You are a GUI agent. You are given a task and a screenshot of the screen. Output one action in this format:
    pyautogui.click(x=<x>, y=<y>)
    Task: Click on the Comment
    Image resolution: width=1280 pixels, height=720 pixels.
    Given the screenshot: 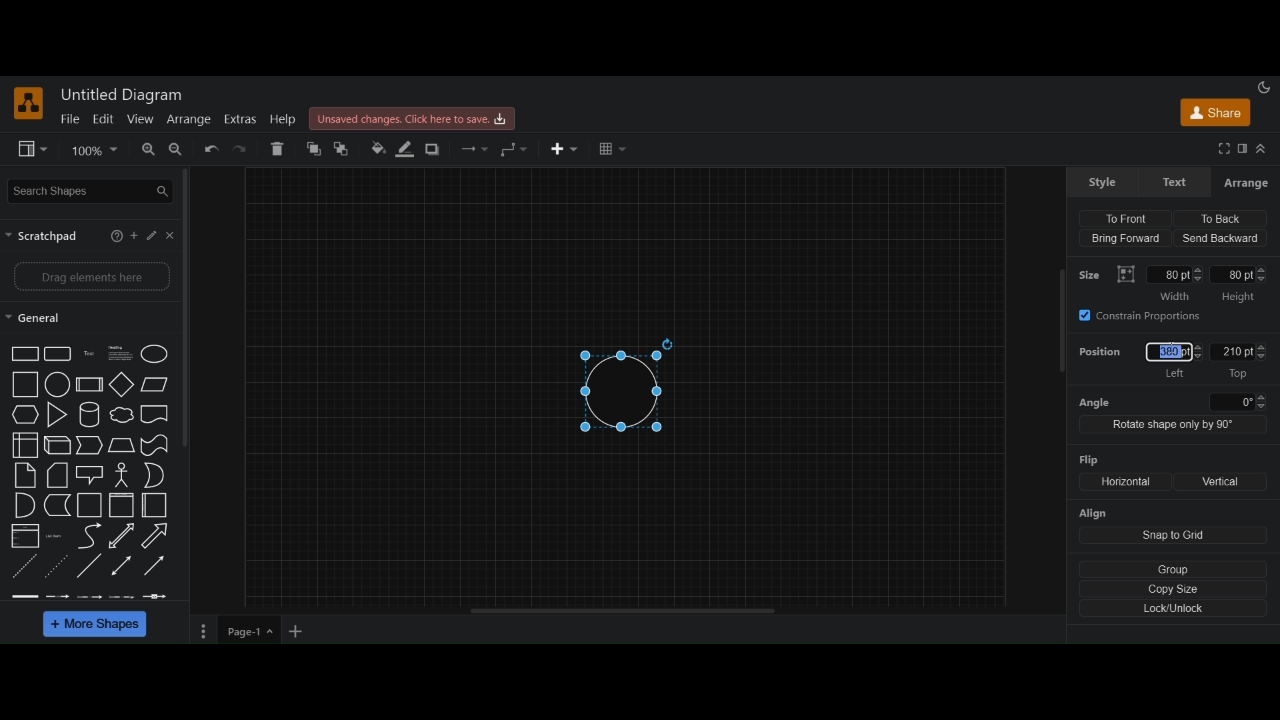 What is the action you would take?
    pyautogui.click(x=90, y=475)
    